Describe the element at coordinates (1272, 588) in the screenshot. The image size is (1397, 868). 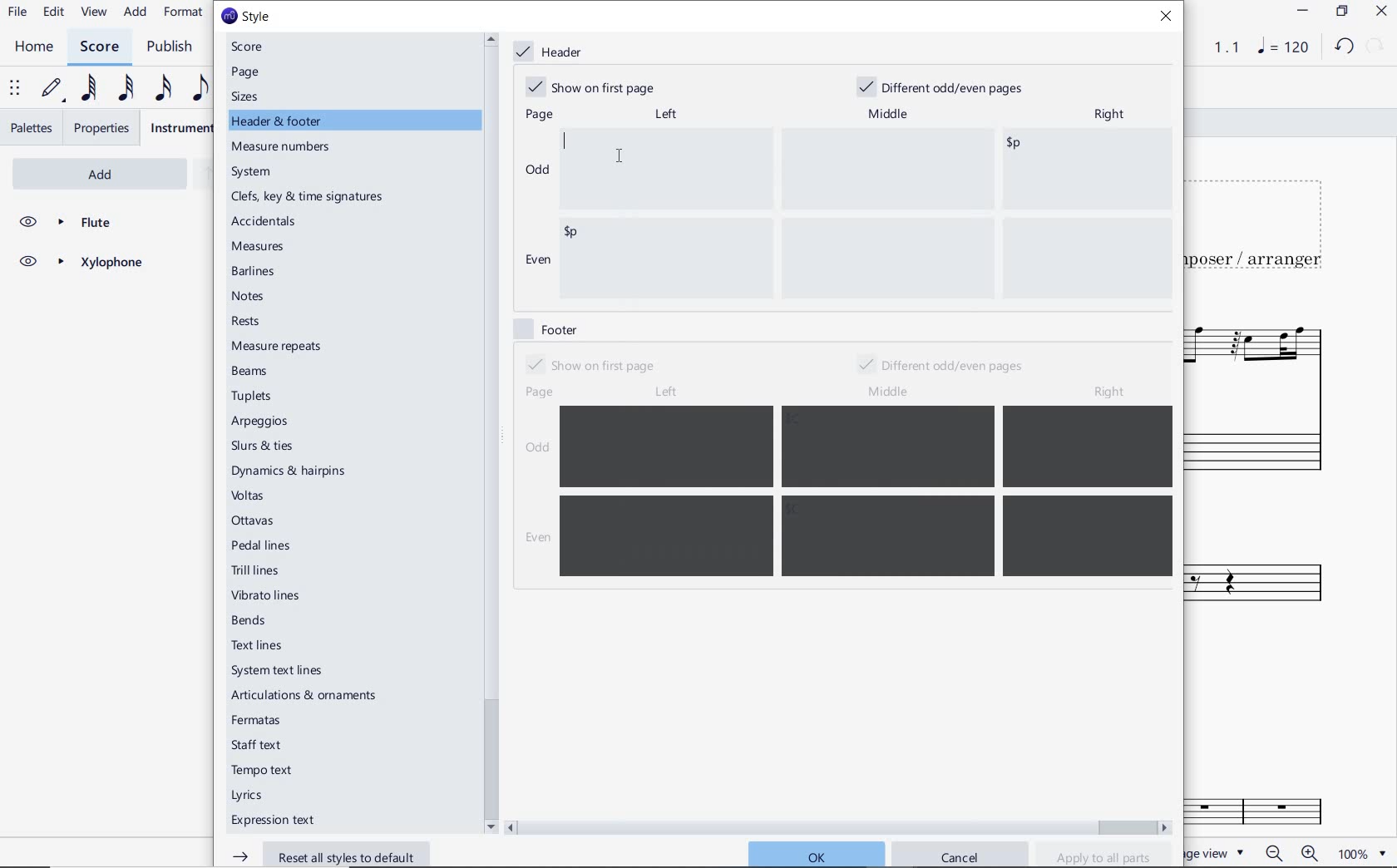
I see `Xylophone` at that location.